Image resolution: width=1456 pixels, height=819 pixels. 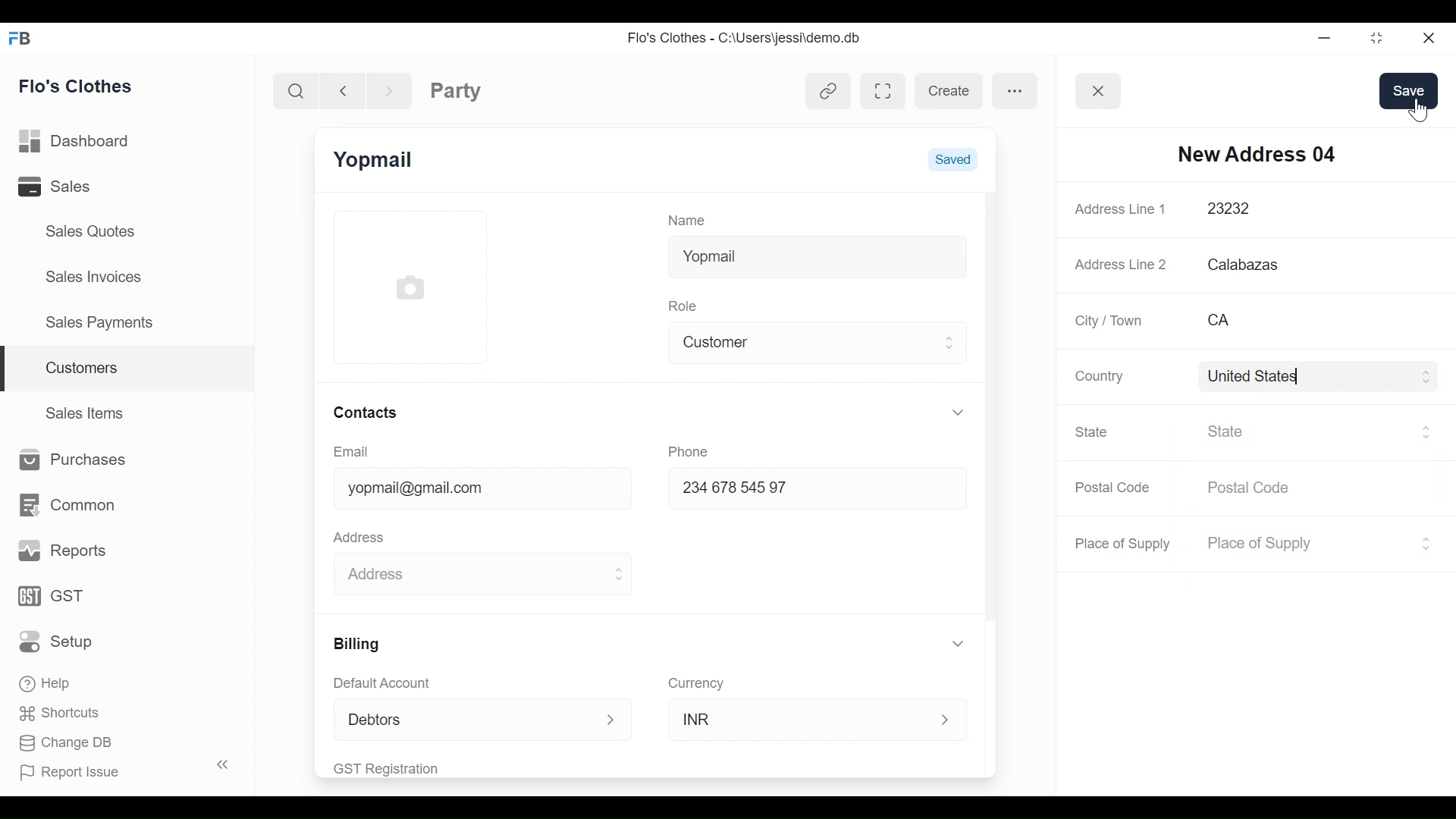 I want to click on Address, so click(x=465, y=571).